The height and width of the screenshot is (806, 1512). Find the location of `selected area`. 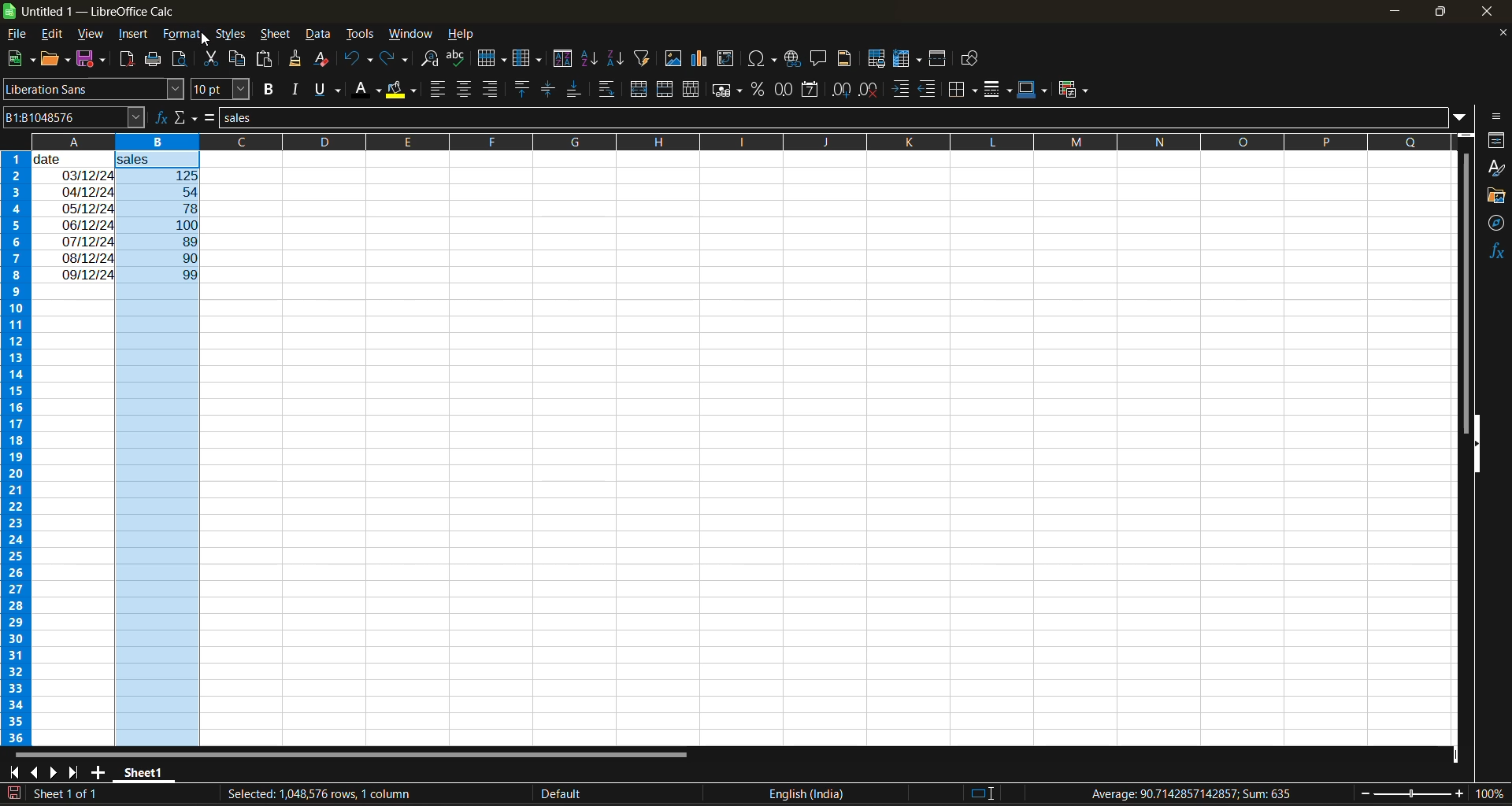

selected area is located at coordinates (317, 794).